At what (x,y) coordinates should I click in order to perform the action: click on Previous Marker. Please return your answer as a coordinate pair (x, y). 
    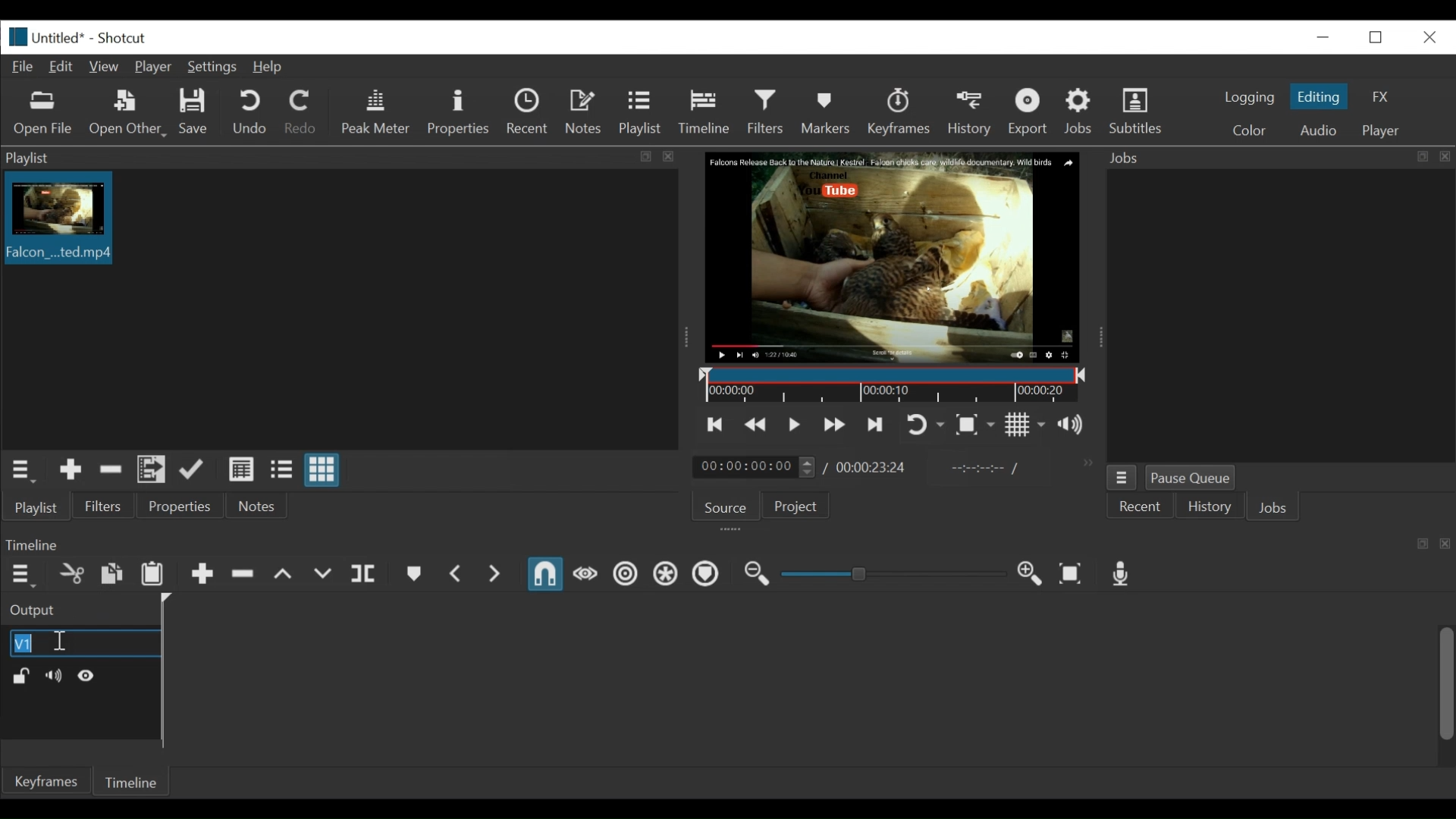
    Looking at the image, I should click on (457, 574).